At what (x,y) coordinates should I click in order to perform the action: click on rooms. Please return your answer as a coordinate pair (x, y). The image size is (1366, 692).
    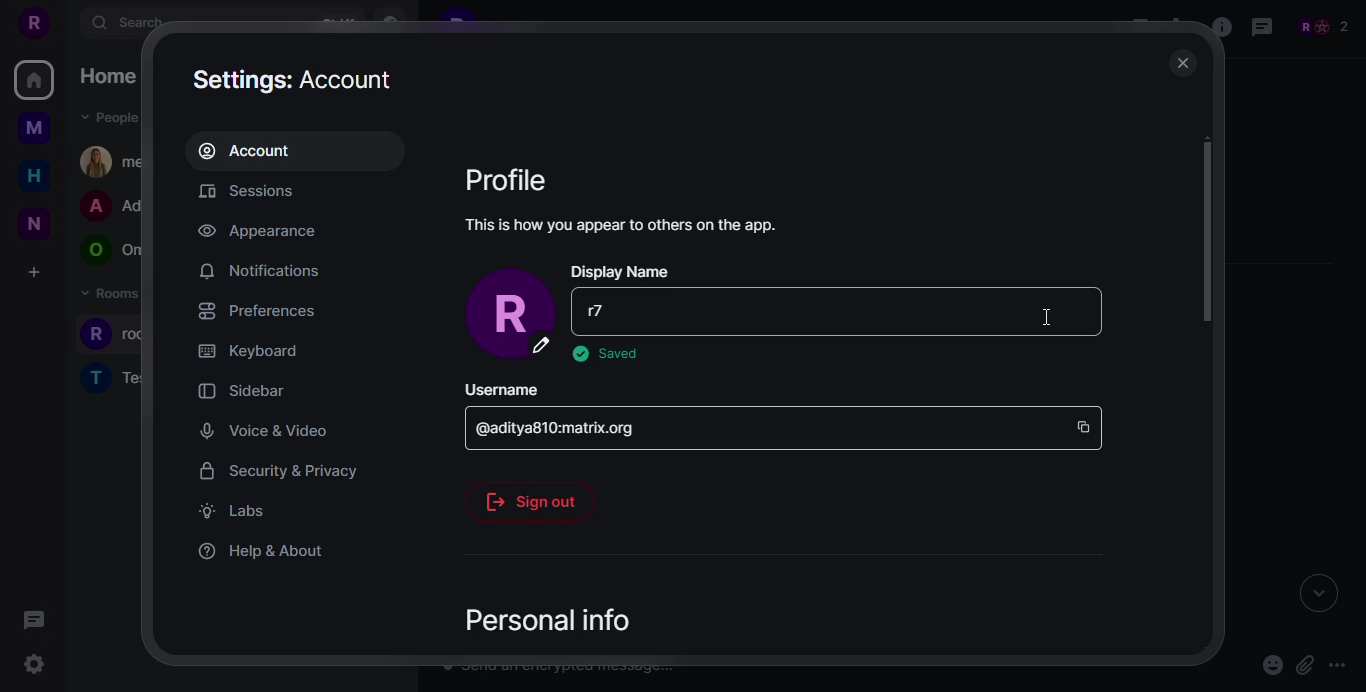
    Looking at the image, I should click on (109, 299).